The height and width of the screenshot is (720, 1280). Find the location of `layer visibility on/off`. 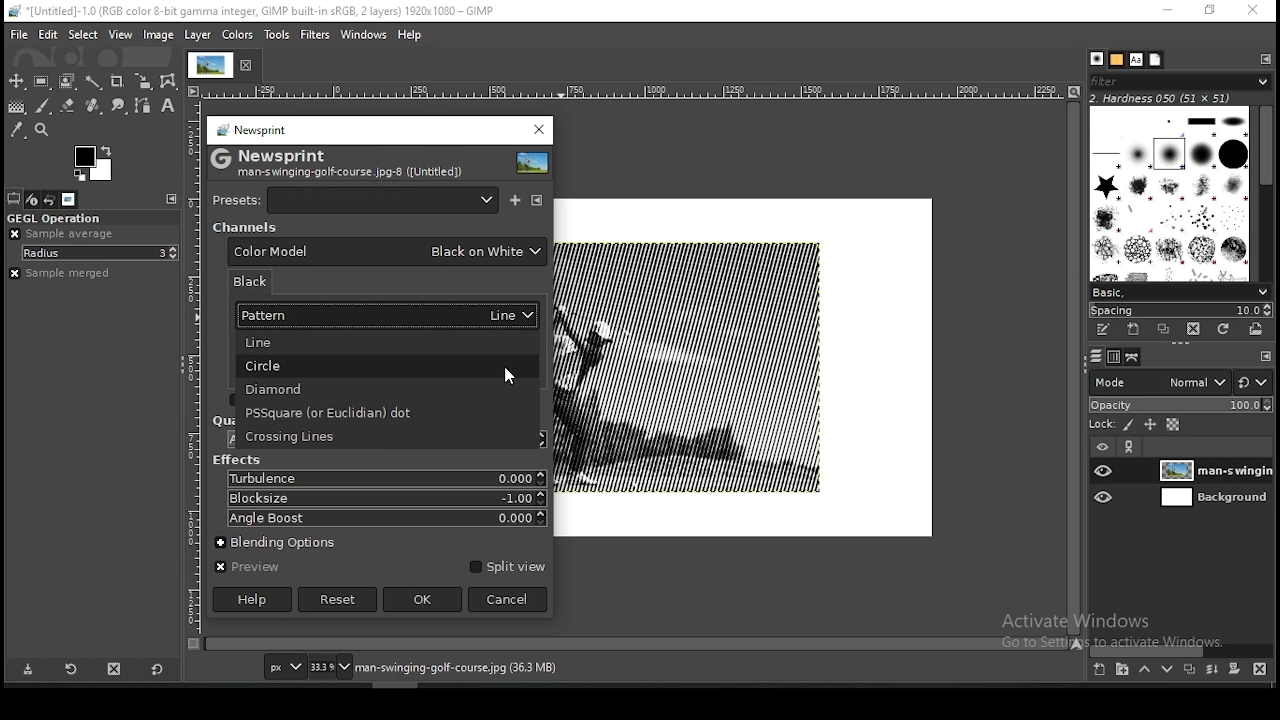

layer visibility on/off is located at coordinates (1103, 497).